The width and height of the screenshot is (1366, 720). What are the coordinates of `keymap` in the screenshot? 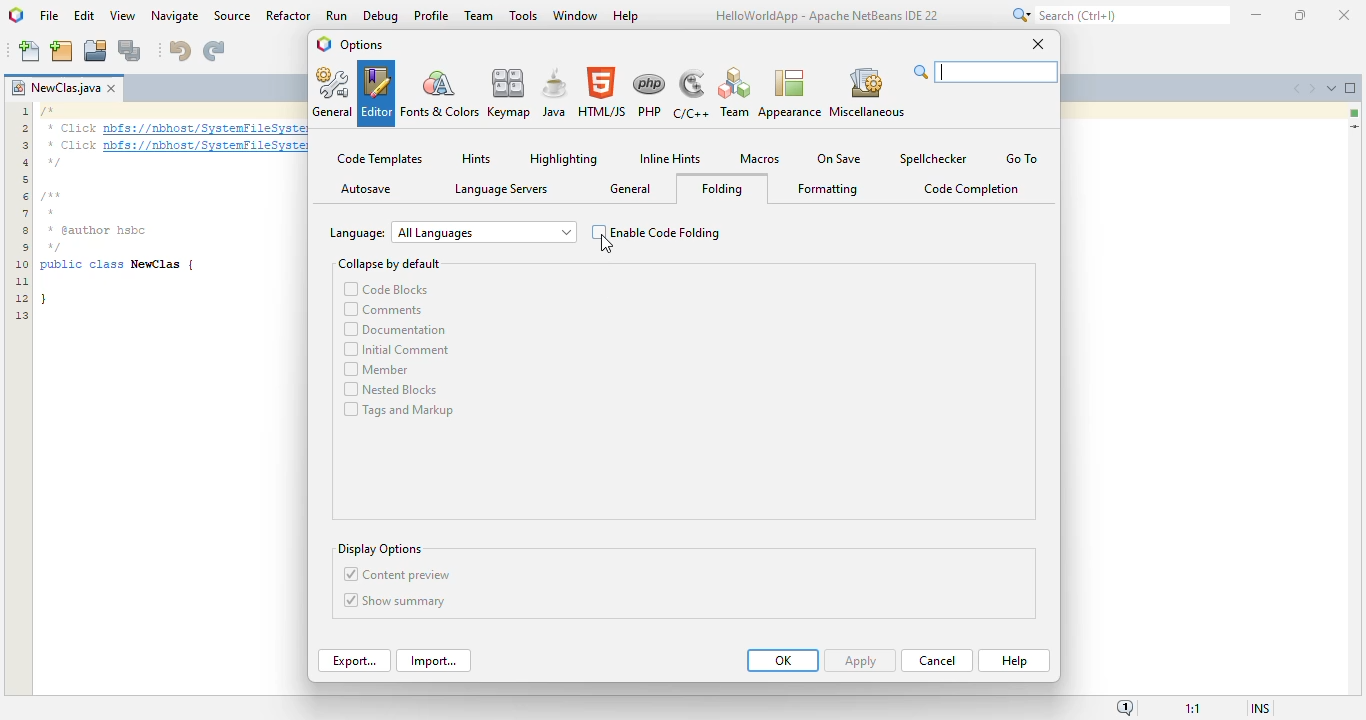 It's located at (510, 93).